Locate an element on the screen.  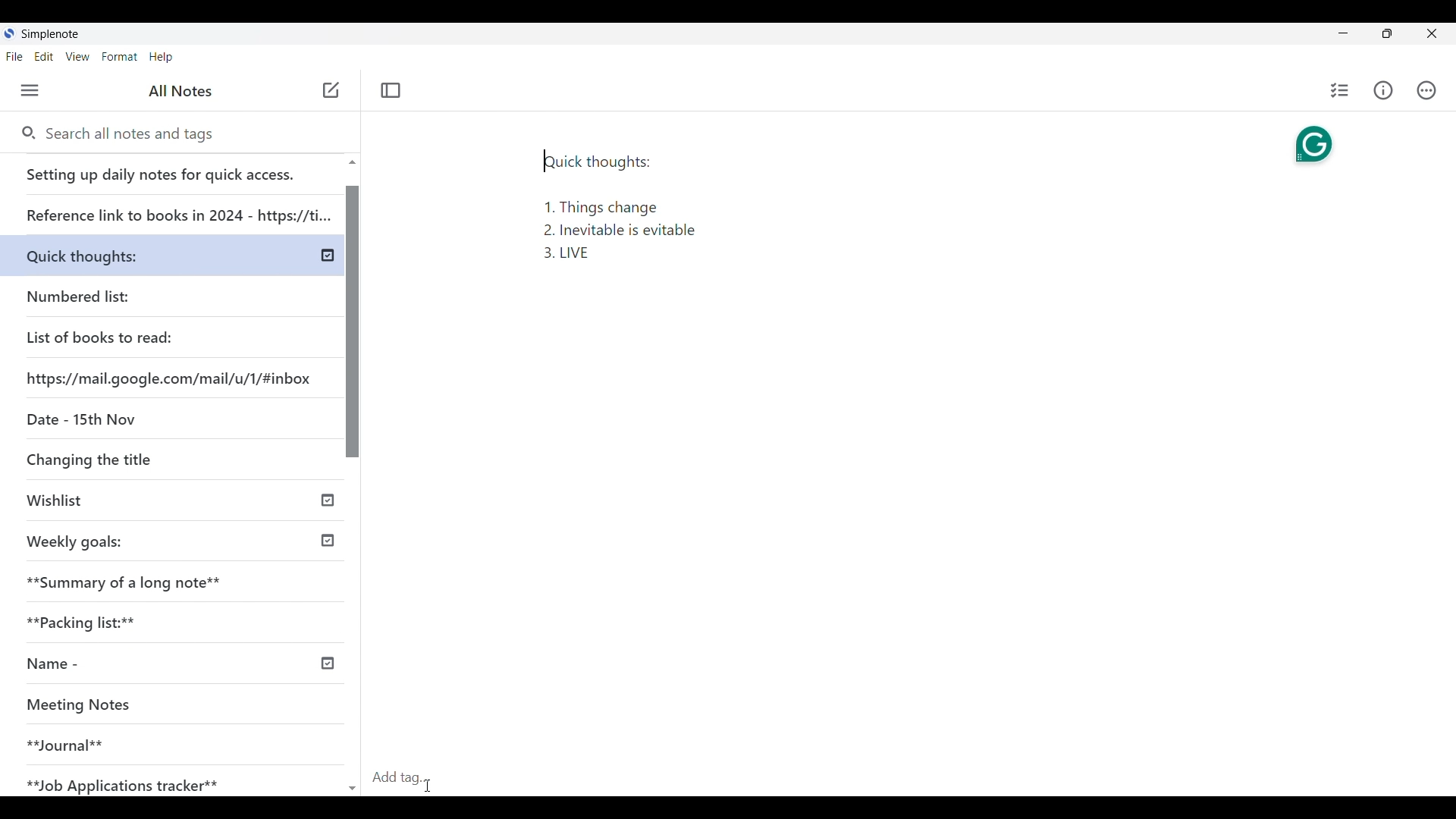
Software logo is located at coordinates (10, 33).